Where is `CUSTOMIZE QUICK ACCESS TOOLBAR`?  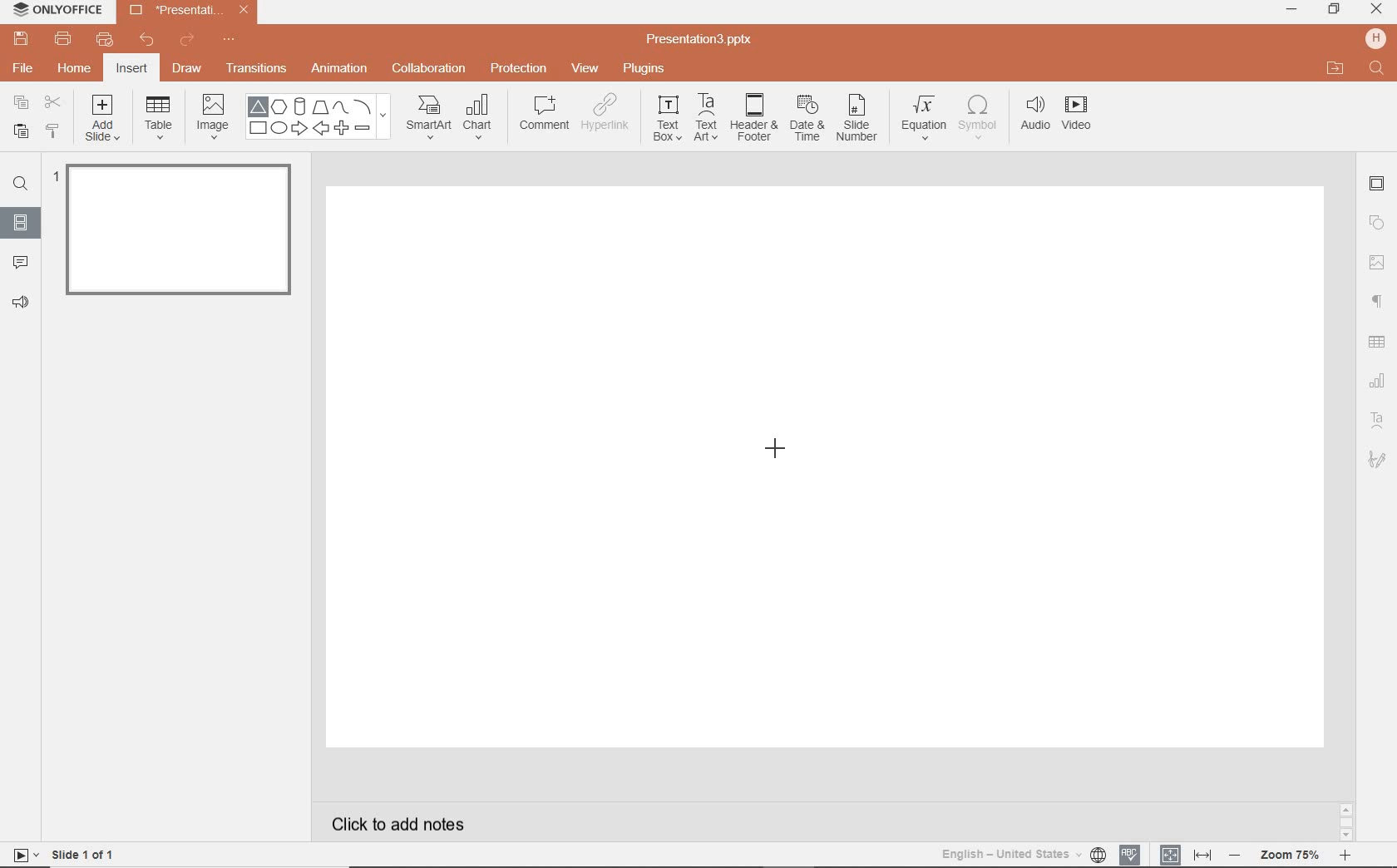
CUSTOMIZE QUICK ACCESS TOOLBAR is located at coordinates (229, 40).